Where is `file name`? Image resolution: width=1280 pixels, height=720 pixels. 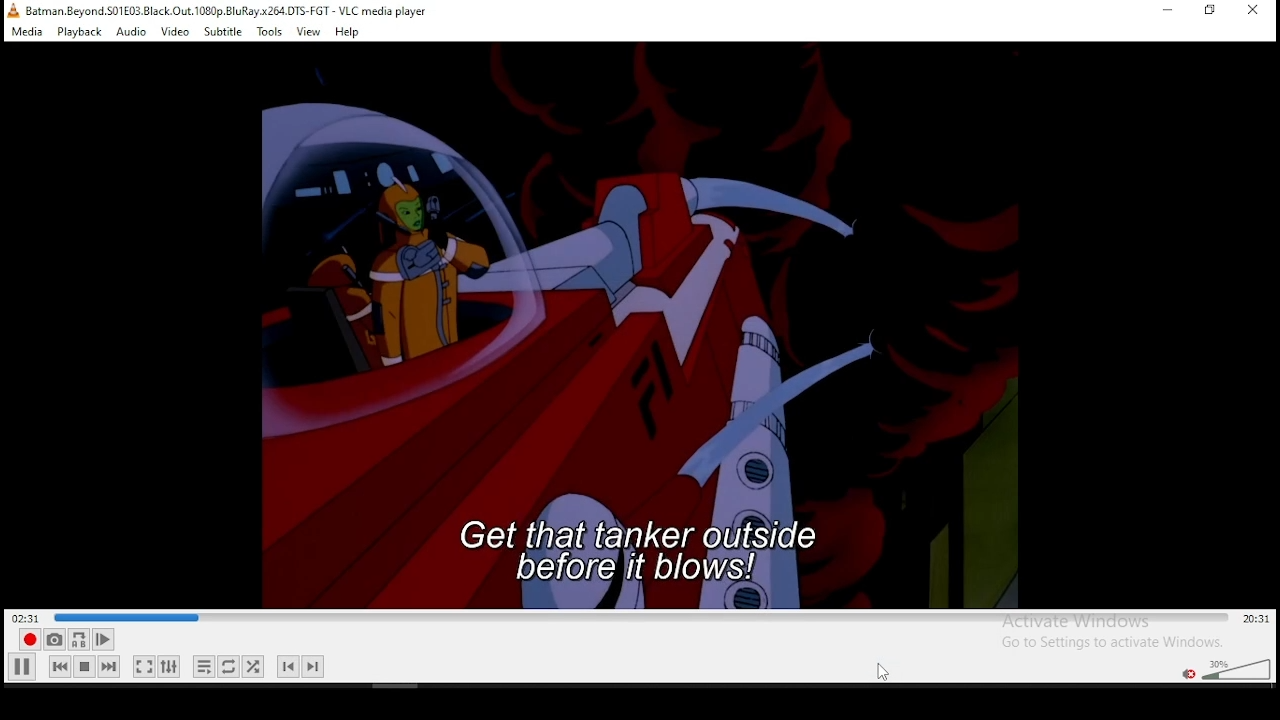
file name is located at coordinates (227, 10).